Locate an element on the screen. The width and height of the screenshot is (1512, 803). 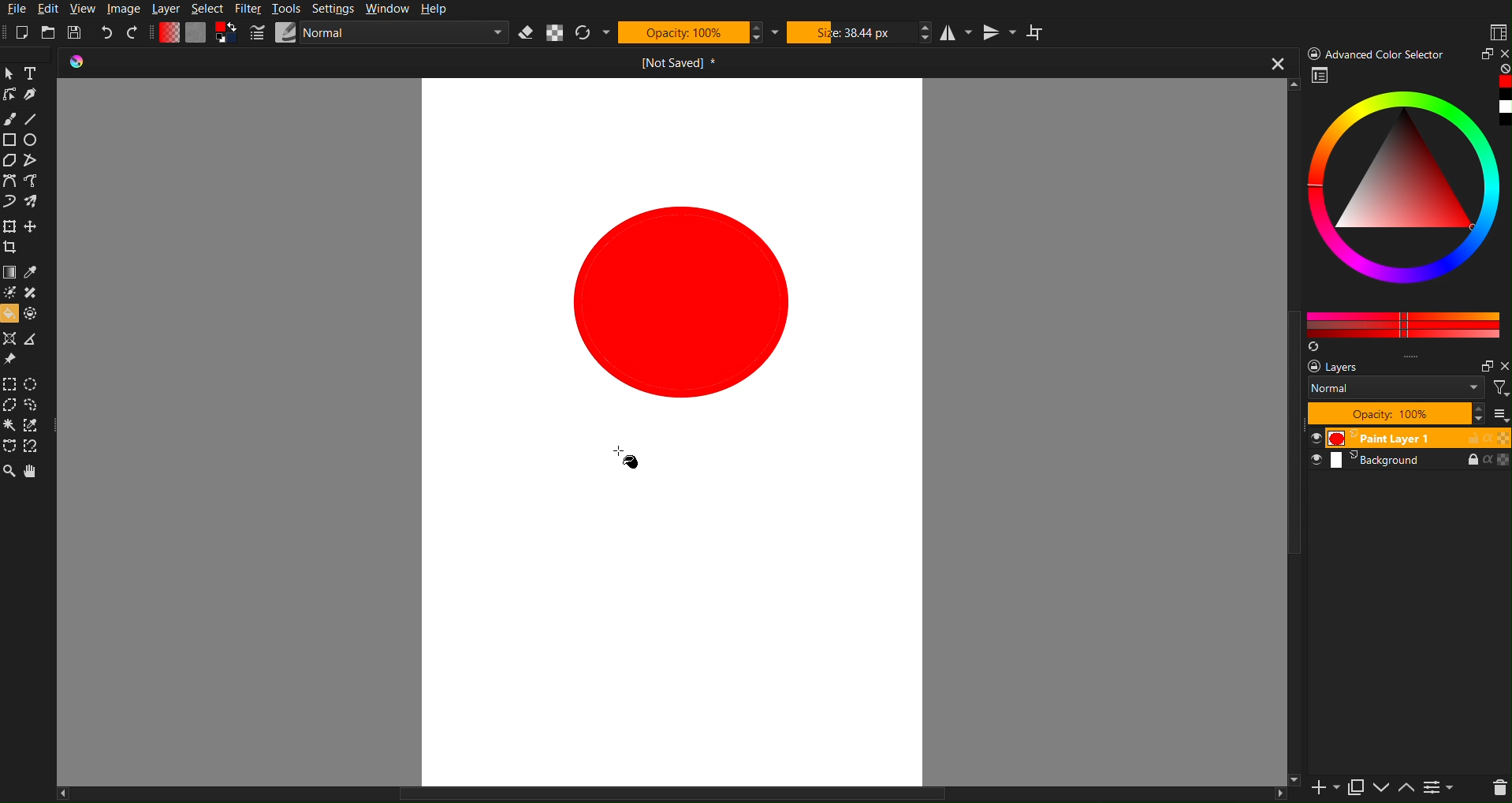
Help is located at coordinates (437, 9).